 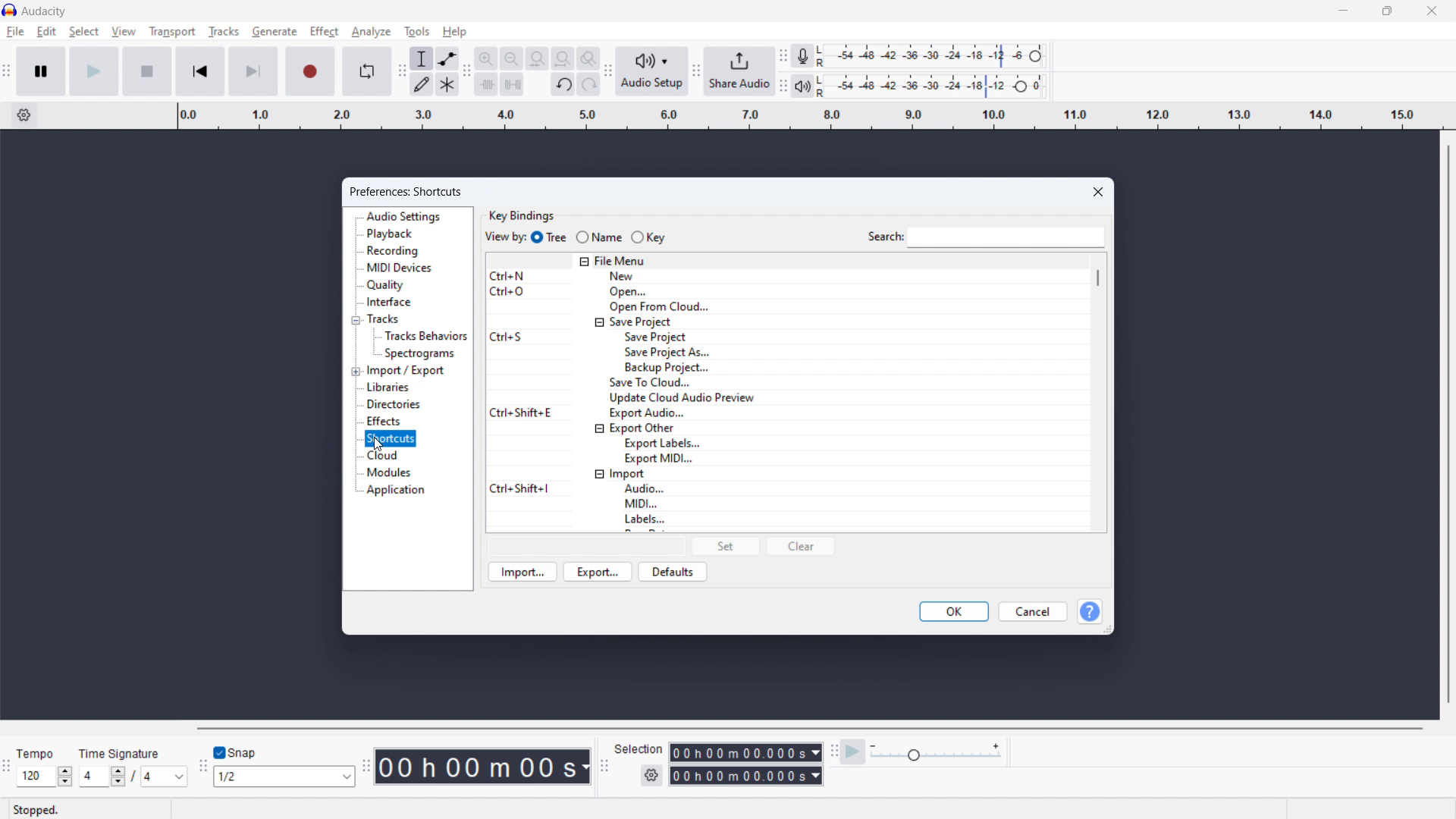 I want to click on Header to change playback level, so click(x=1021, y=86).